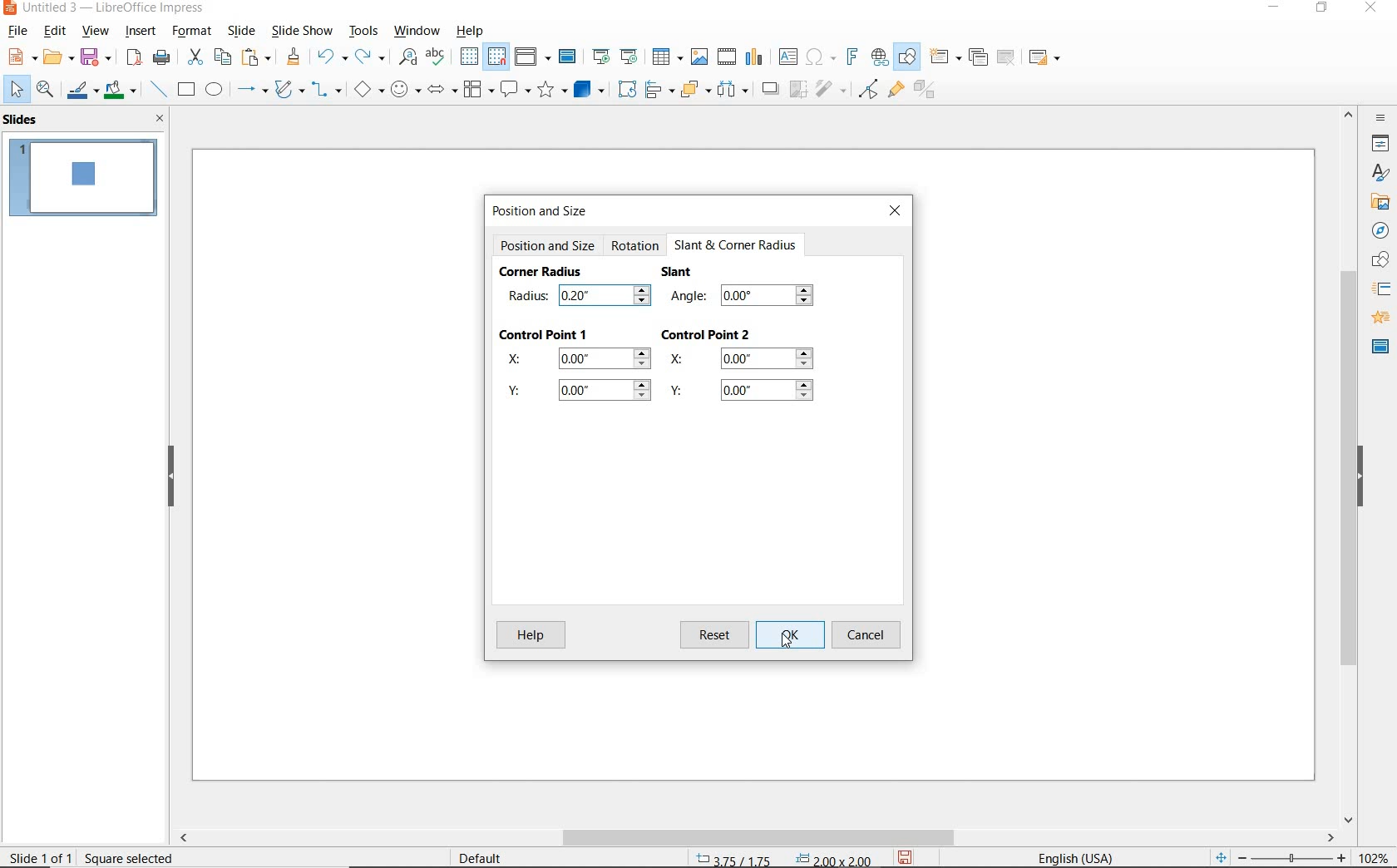 This screenshot has height=868, width=1397. I want to click on styles, so click(1380, 174).